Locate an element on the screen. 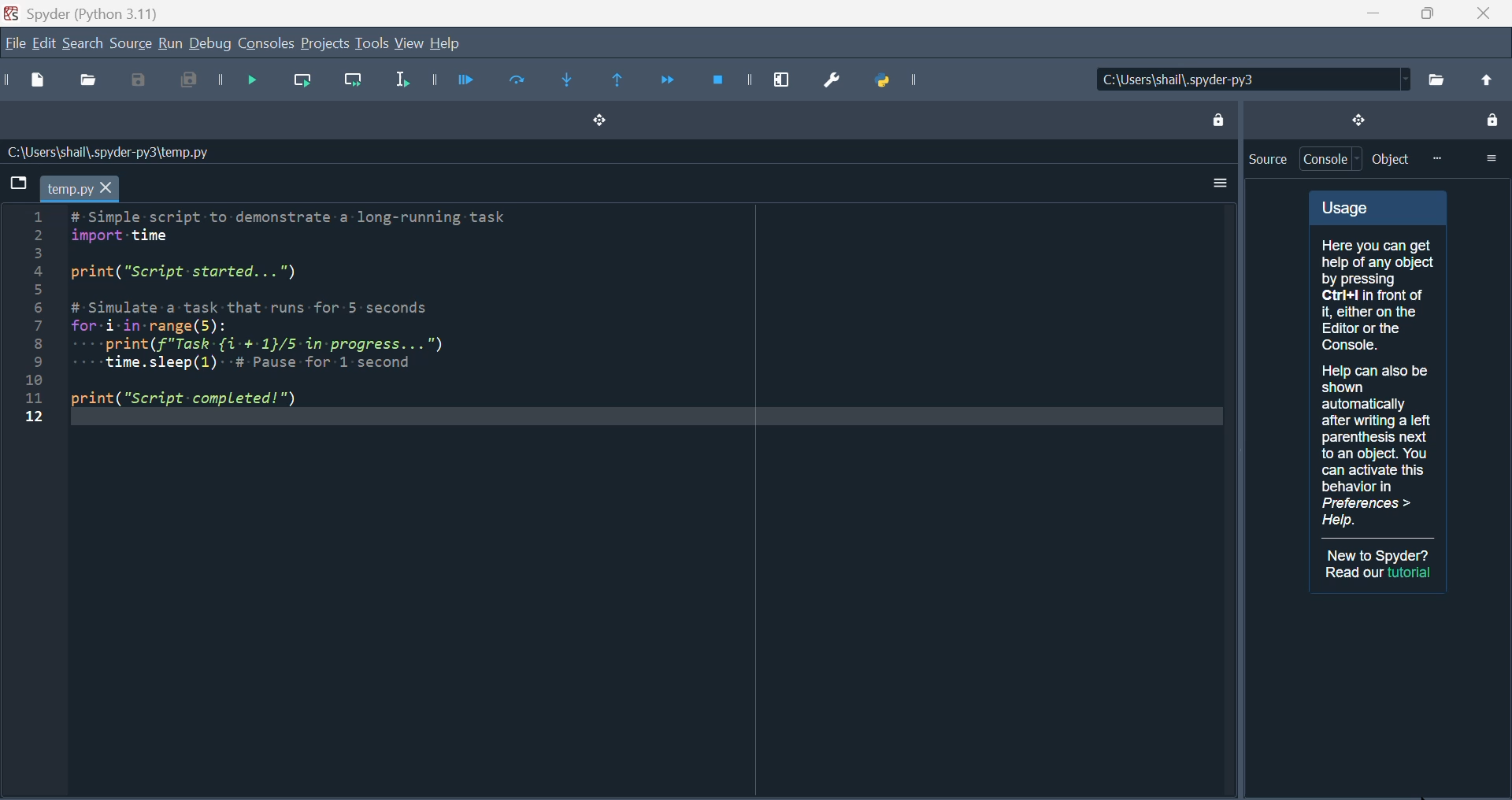 The height and width of the screenshot is (800, 1512). Preferences is located at coordinates (838, 78).